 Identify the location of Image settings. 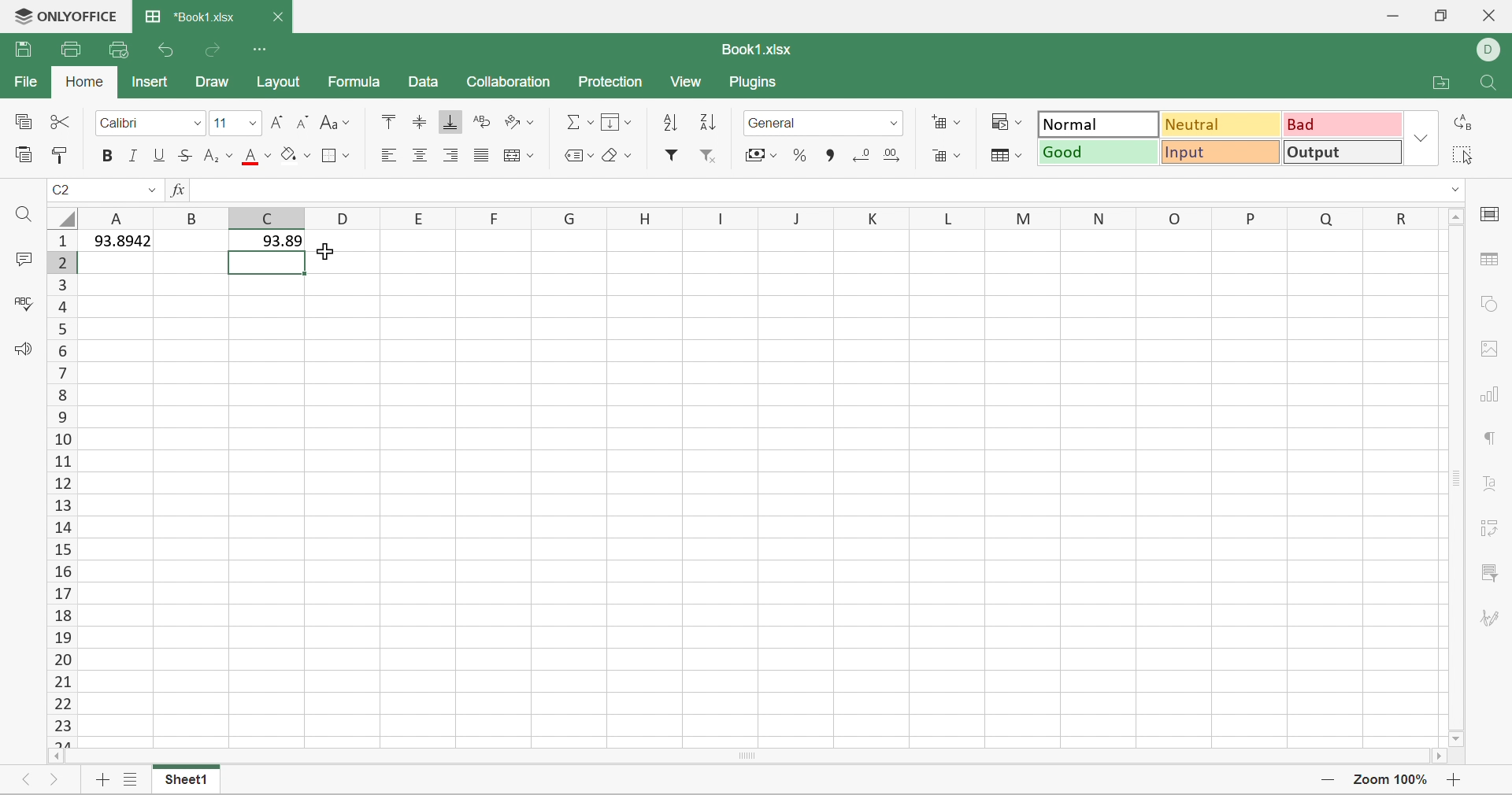
(1487, 348).